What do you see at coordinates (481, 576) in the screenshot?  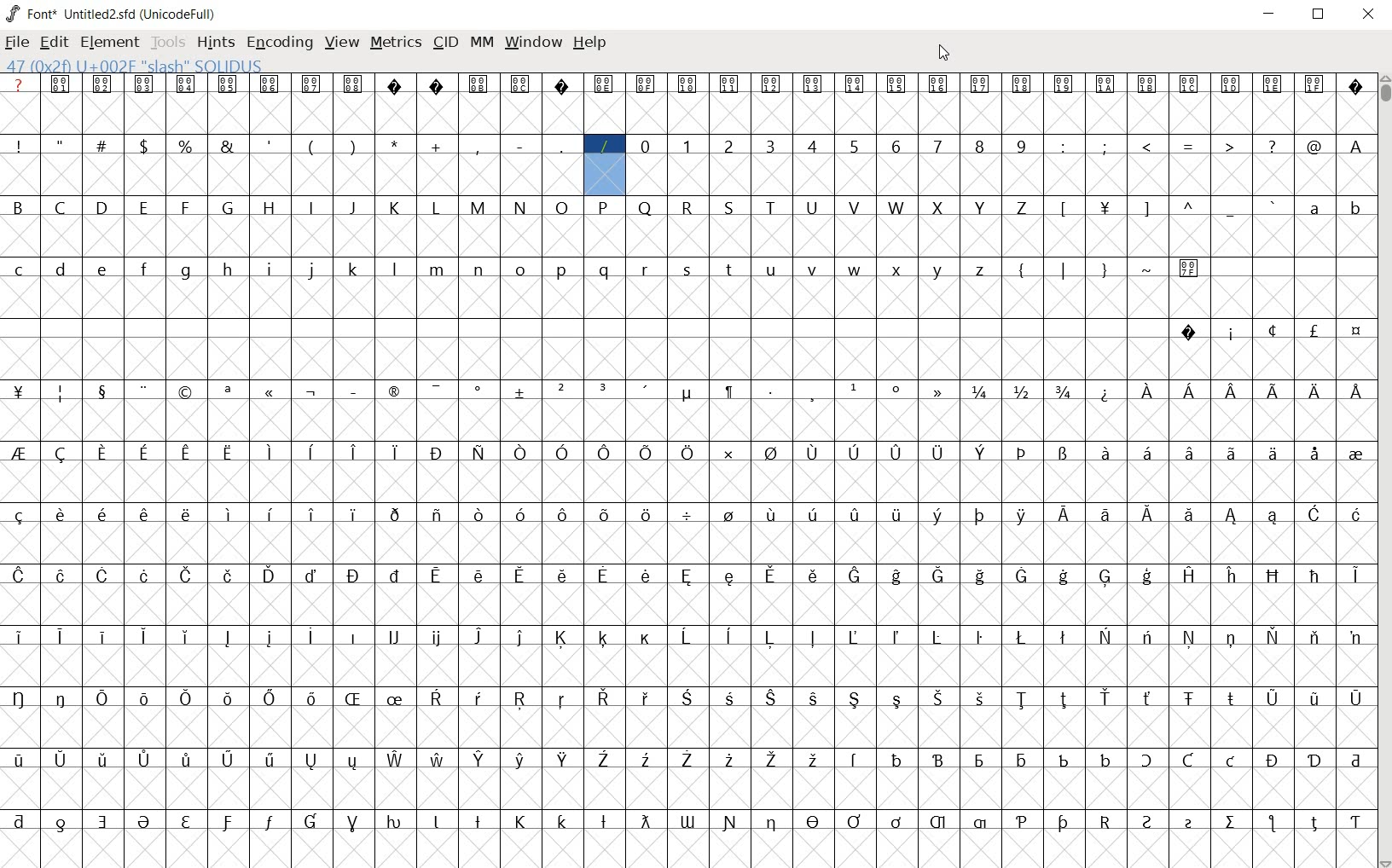 I see `glyph` at bounding box center [481, 576].